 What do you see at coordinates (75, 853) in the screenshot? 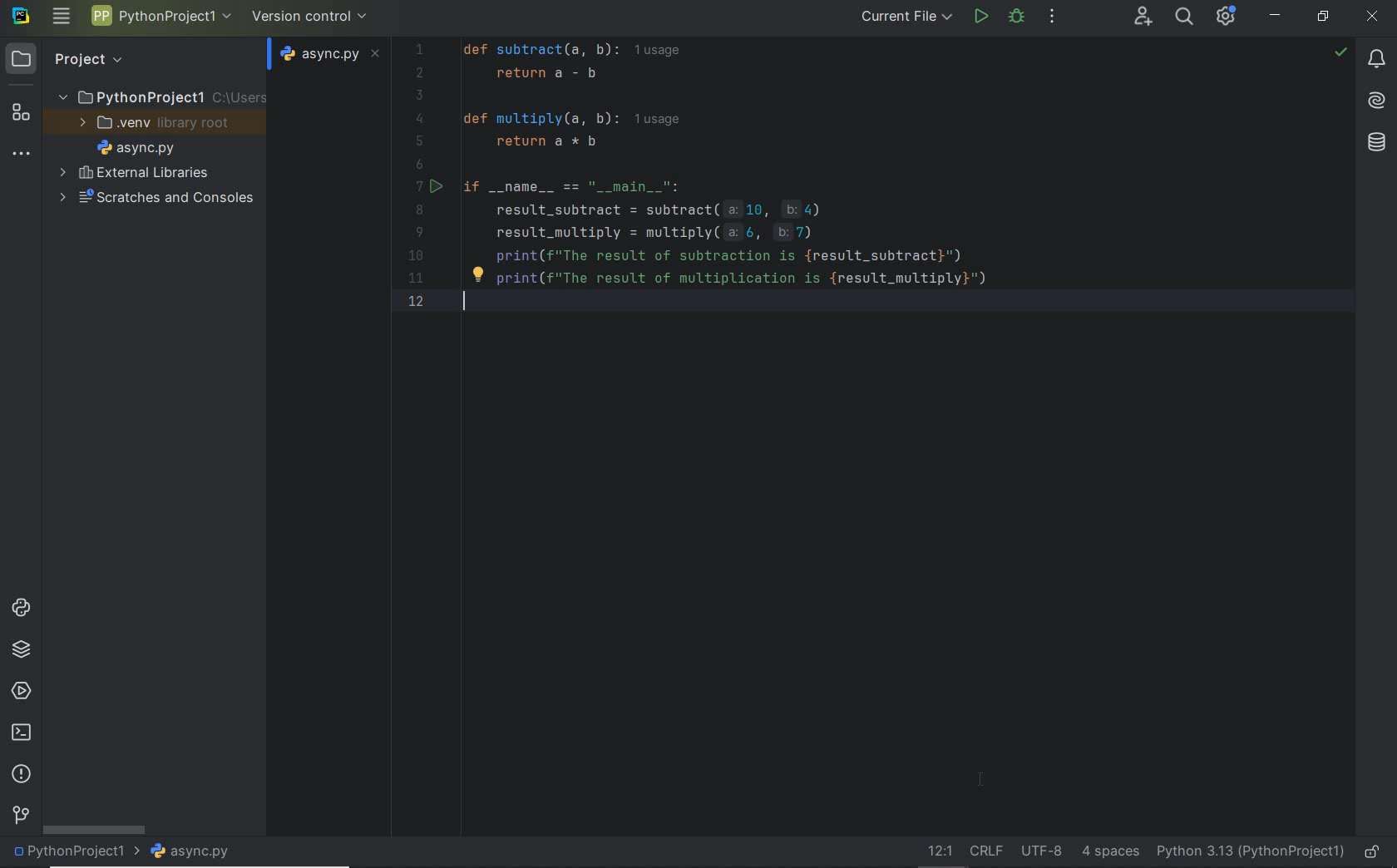
I see `project name` at bounding box center [75, 853].